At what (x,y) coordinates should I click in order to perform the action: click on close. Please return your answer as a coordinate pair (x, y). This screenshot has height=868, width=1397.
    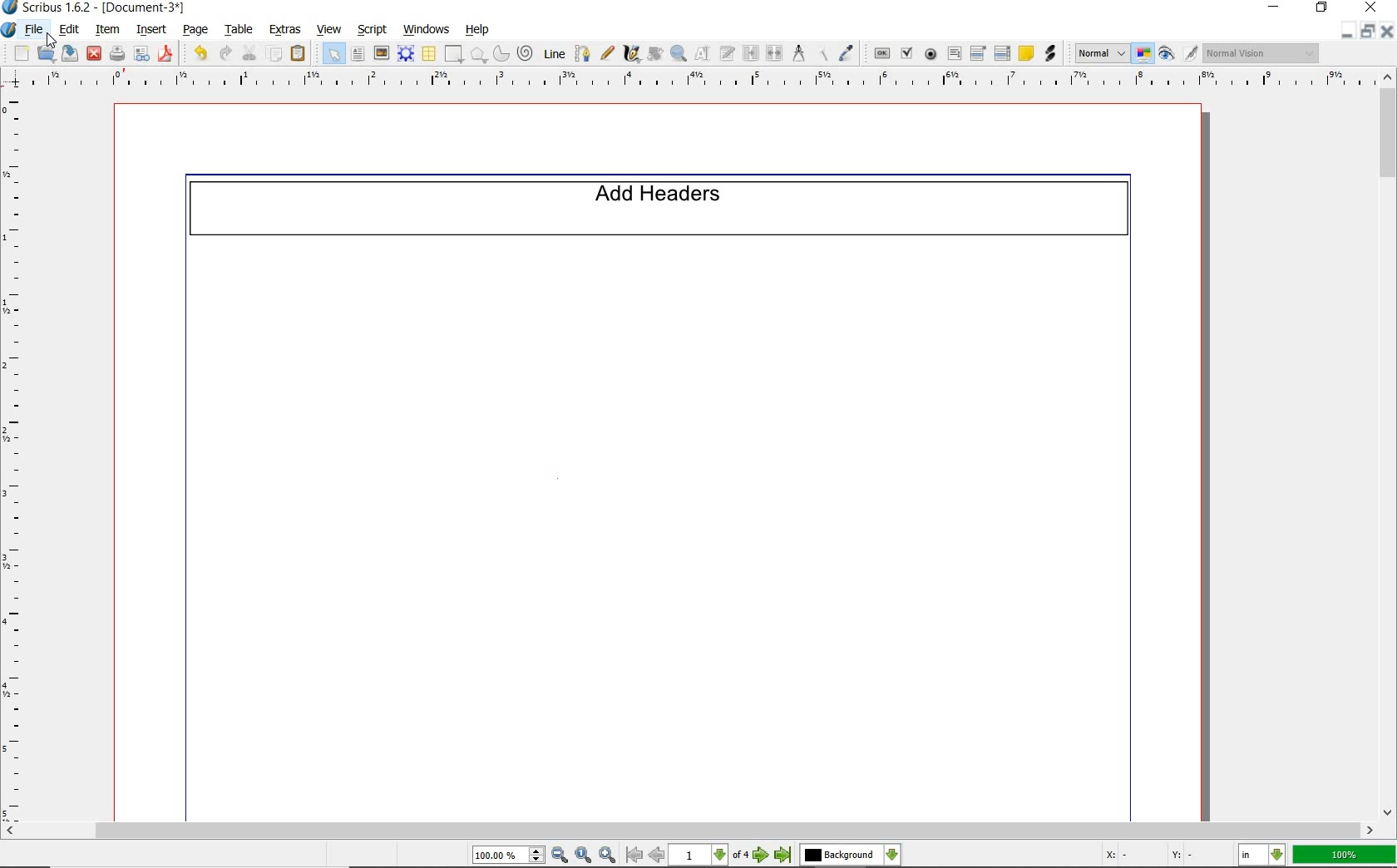
    Looking at the image, I should click on (1371, 7).